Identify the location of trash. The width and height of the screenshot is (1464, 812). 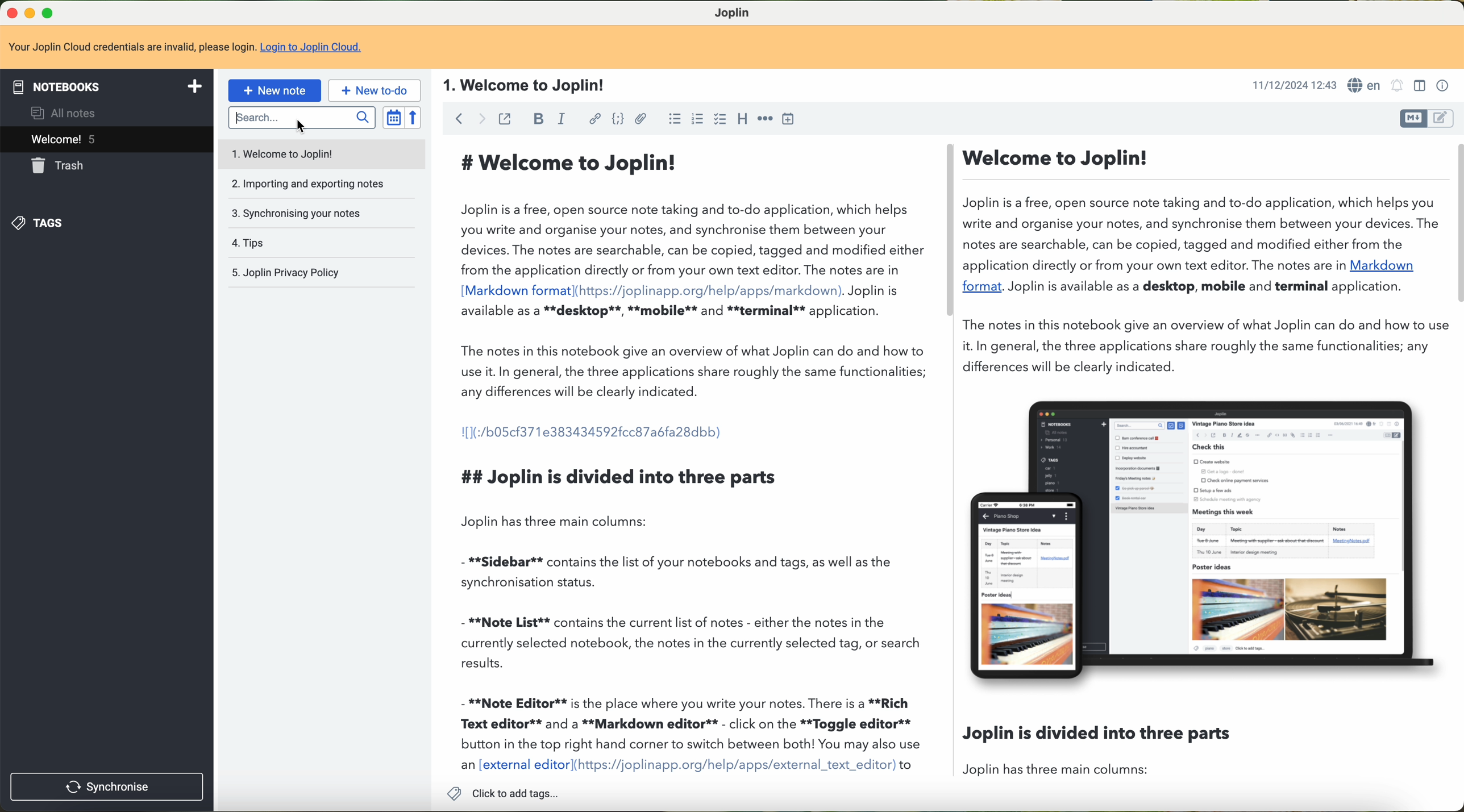
(59, 165).